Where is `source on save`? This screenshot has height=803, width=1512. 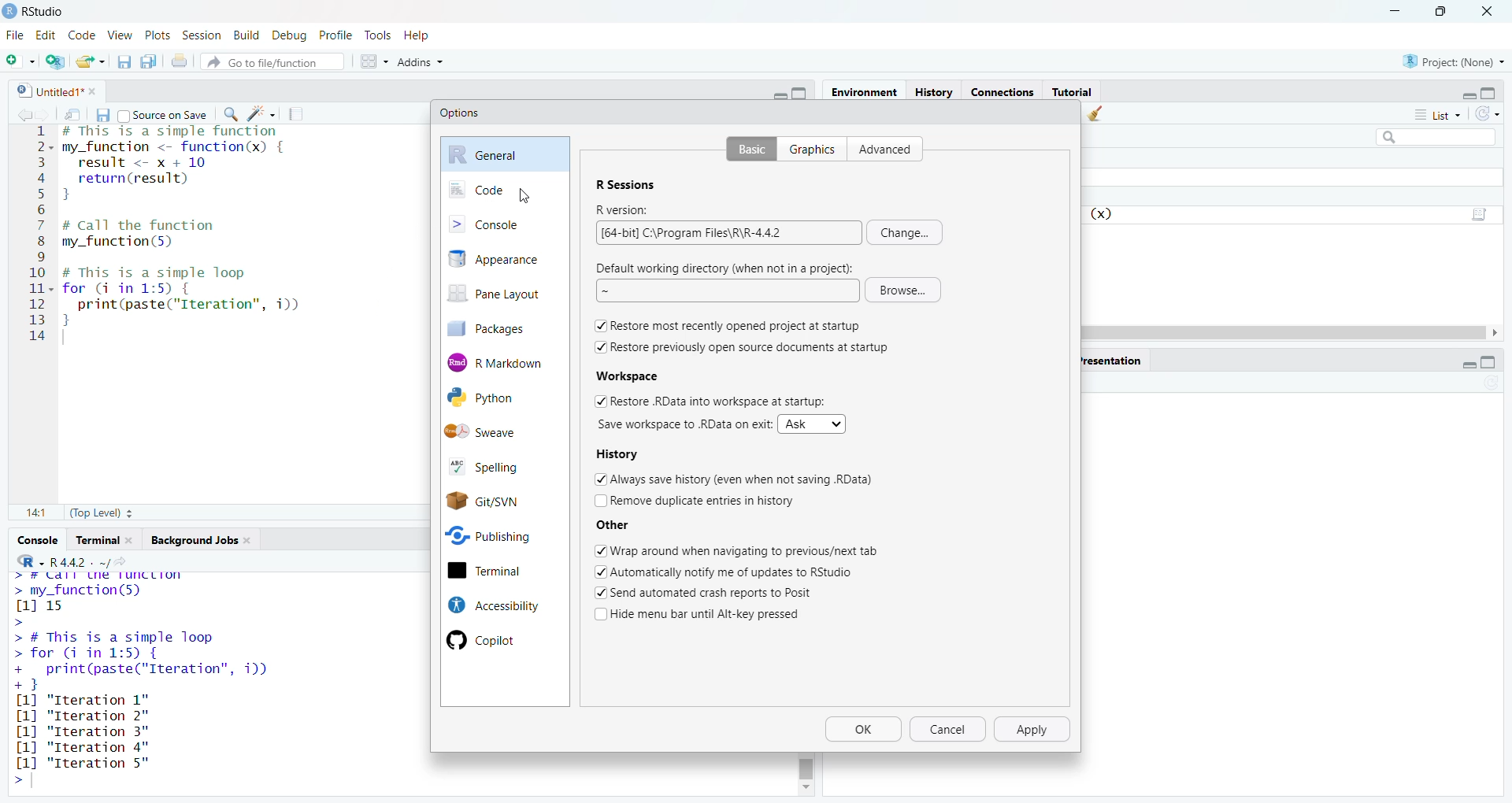
source on save is located at coordinates (163, 113).